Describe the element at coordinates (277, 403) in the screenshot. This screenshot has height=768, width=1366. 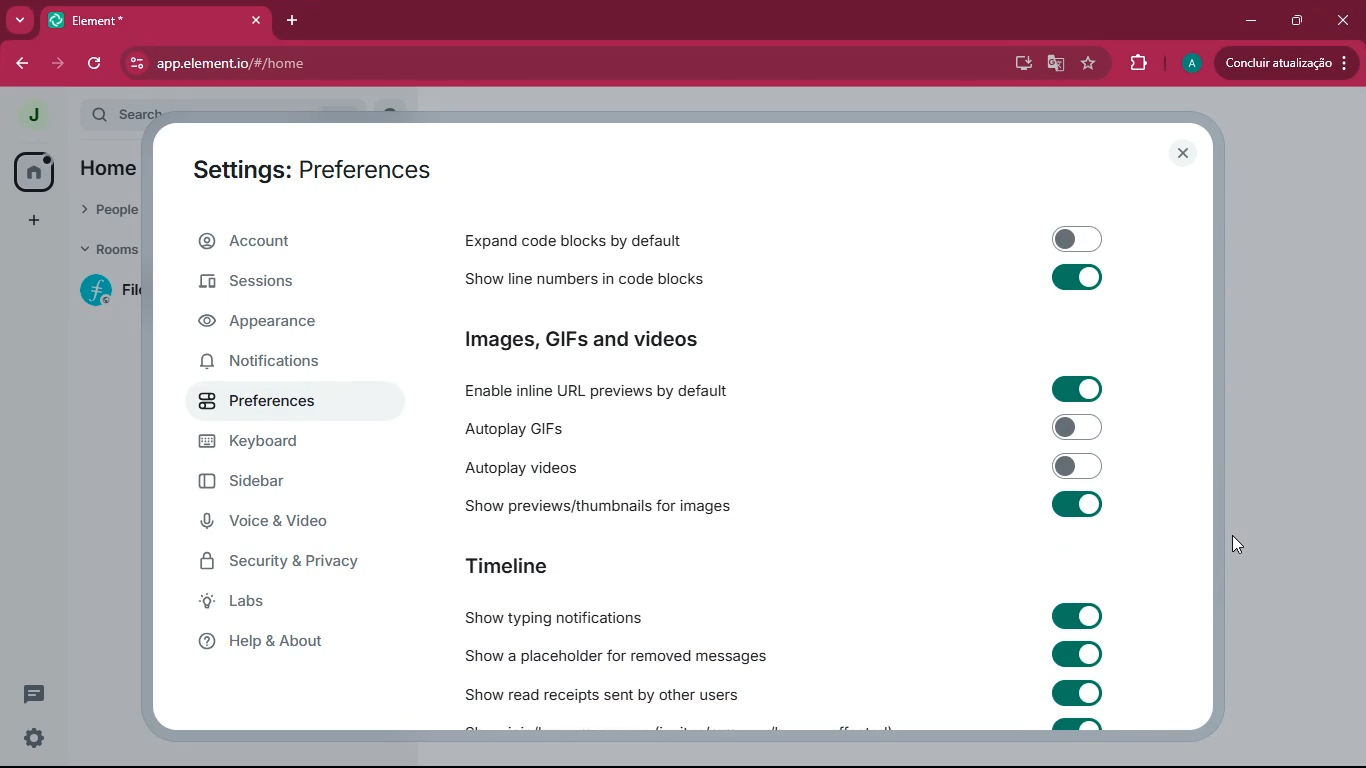
I see `preferences` at that location.